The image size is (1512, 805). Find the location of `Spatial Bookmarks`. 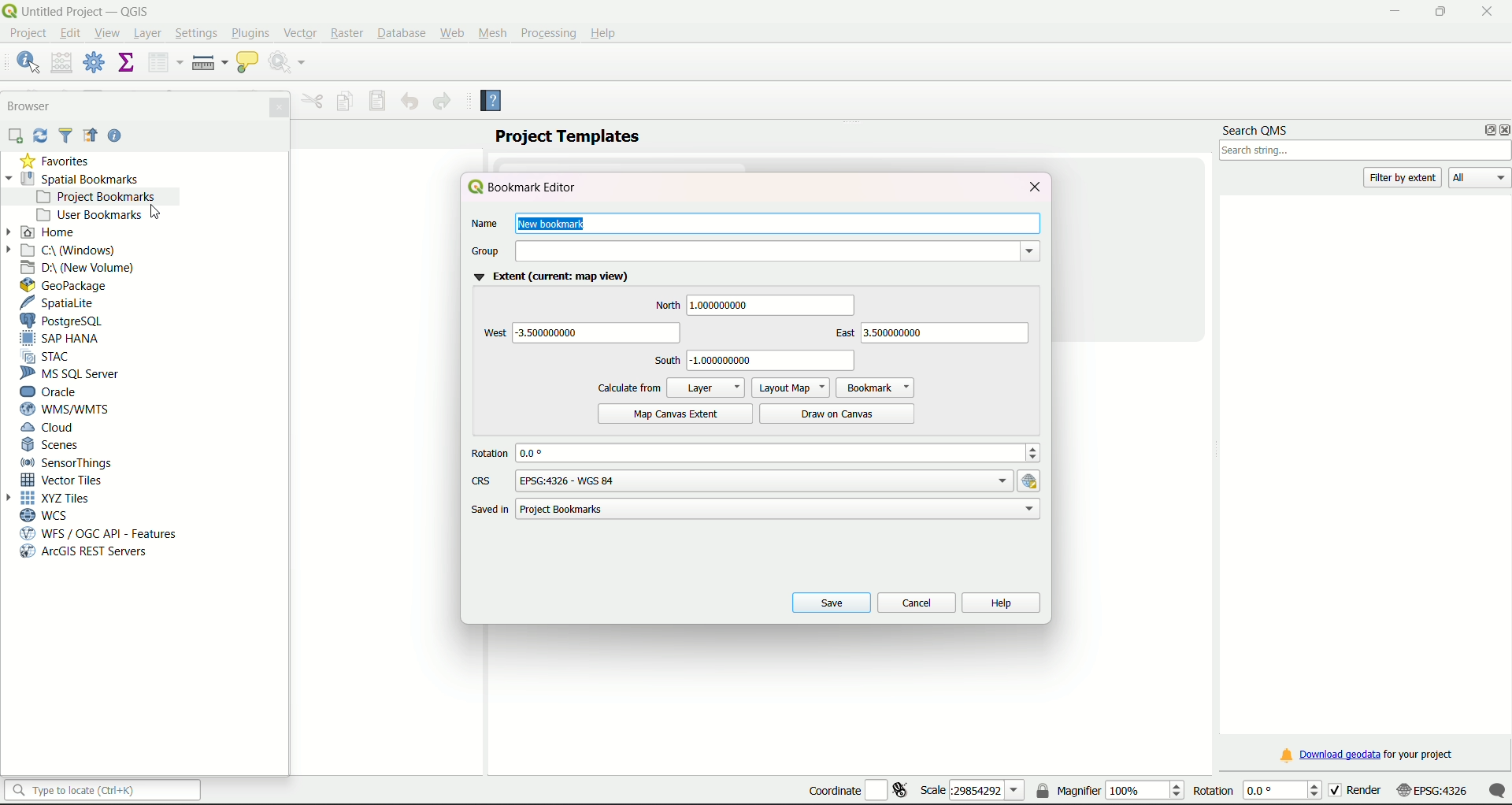

Spatial Bookmarks is located at coordinates (79, 178).